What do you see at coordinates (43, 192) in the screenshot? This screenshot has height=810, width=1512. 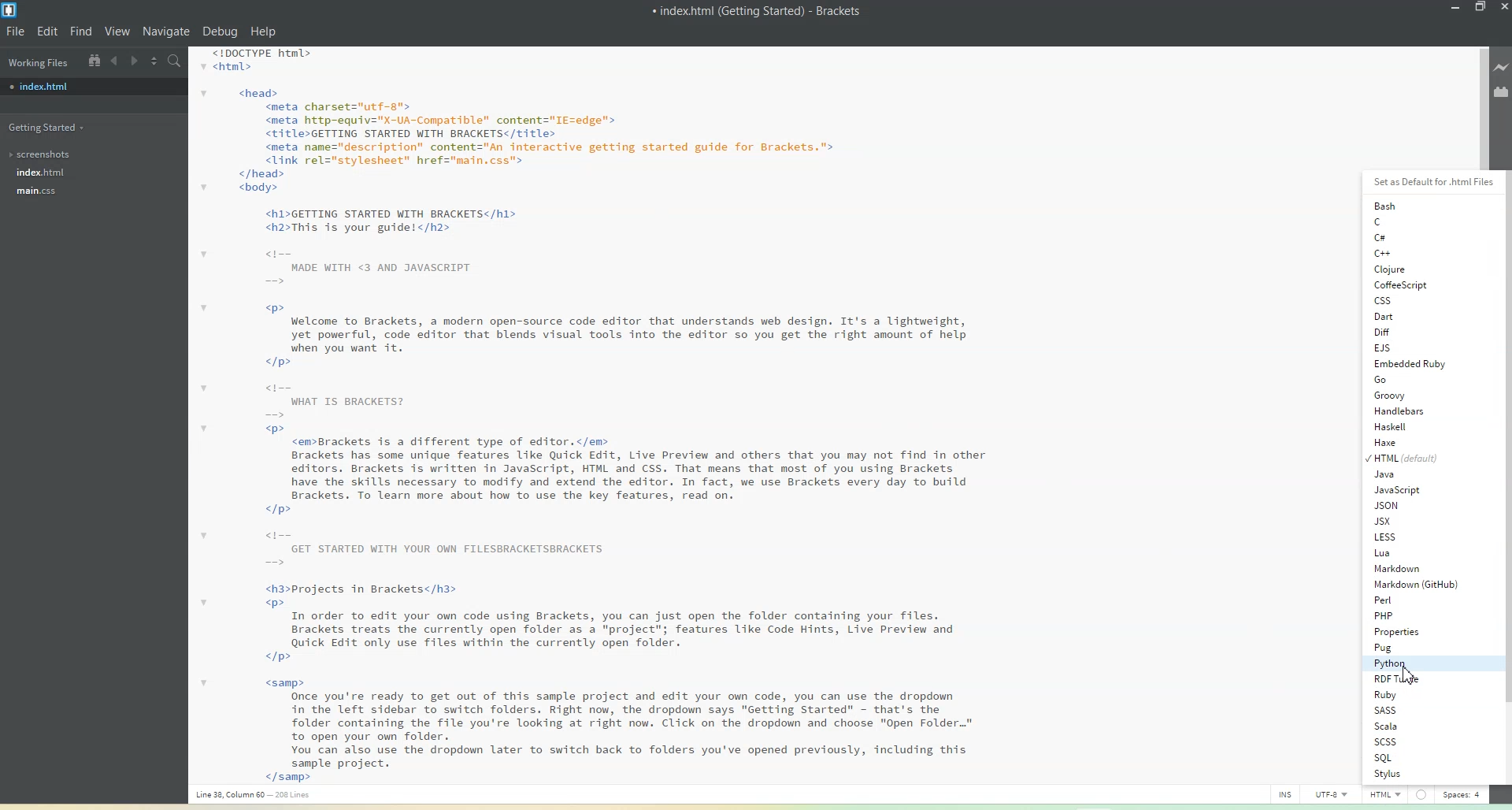 I see `main.css` at bounding box center [43, 192].